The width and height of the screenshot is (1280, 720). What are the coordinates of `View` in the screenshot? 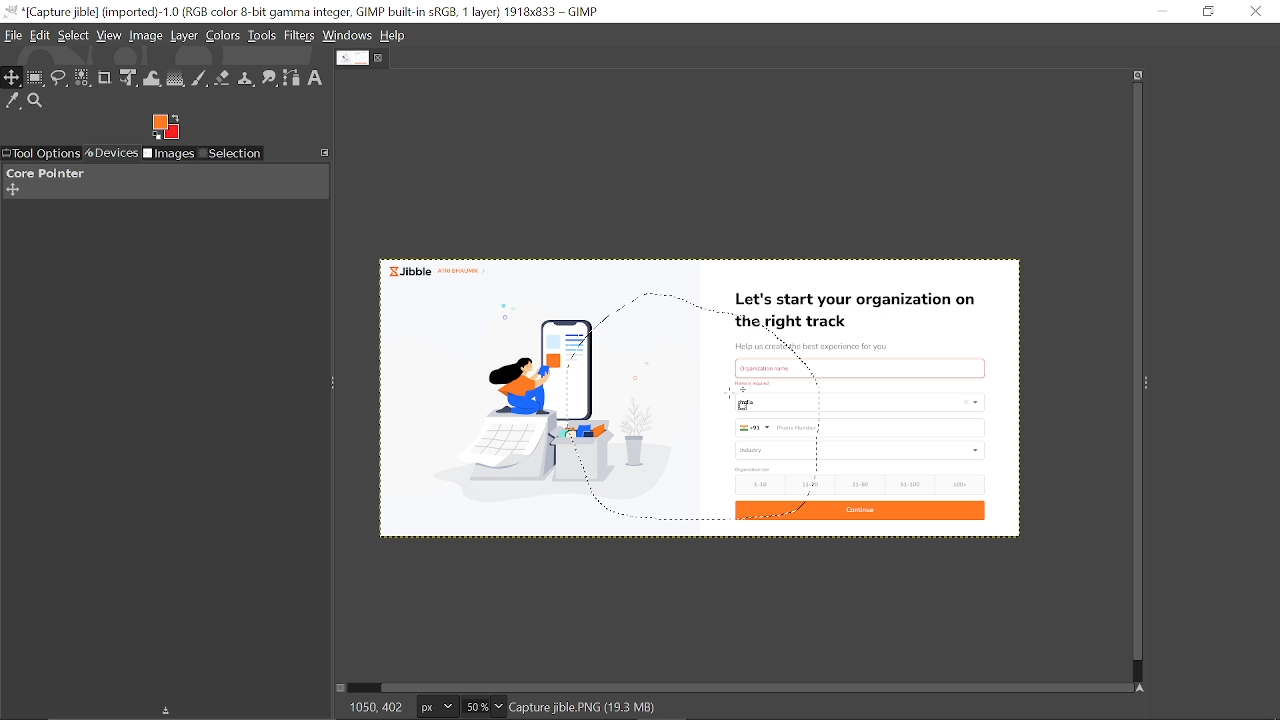 It's located at (109, 35).